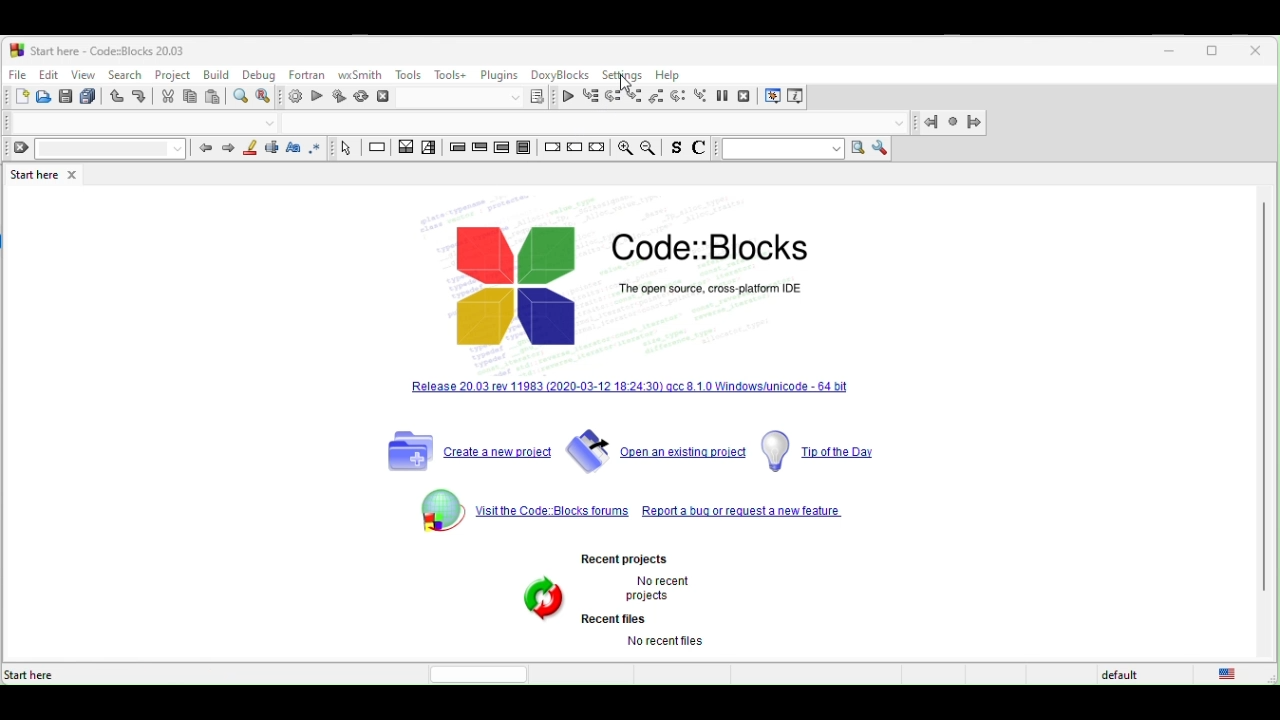 The height and width of the screenshot is (720, 1280). What do you see at coordinates (977, 121) in the screenshot?
I see `jump forward` at bounding box center [977, 121].